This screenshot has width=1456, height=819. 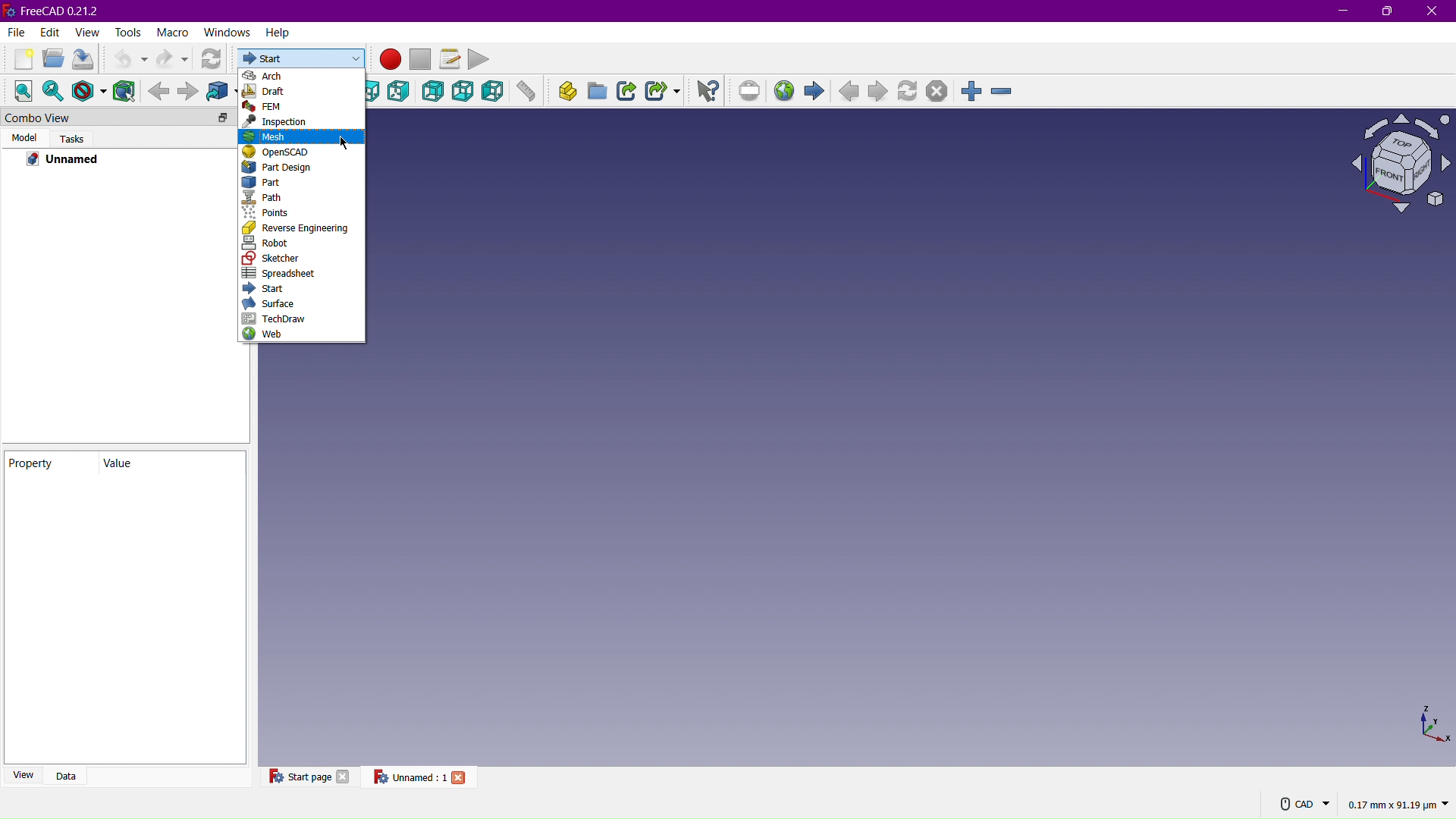 I want to click on Forward, so click(x=189, y=91).